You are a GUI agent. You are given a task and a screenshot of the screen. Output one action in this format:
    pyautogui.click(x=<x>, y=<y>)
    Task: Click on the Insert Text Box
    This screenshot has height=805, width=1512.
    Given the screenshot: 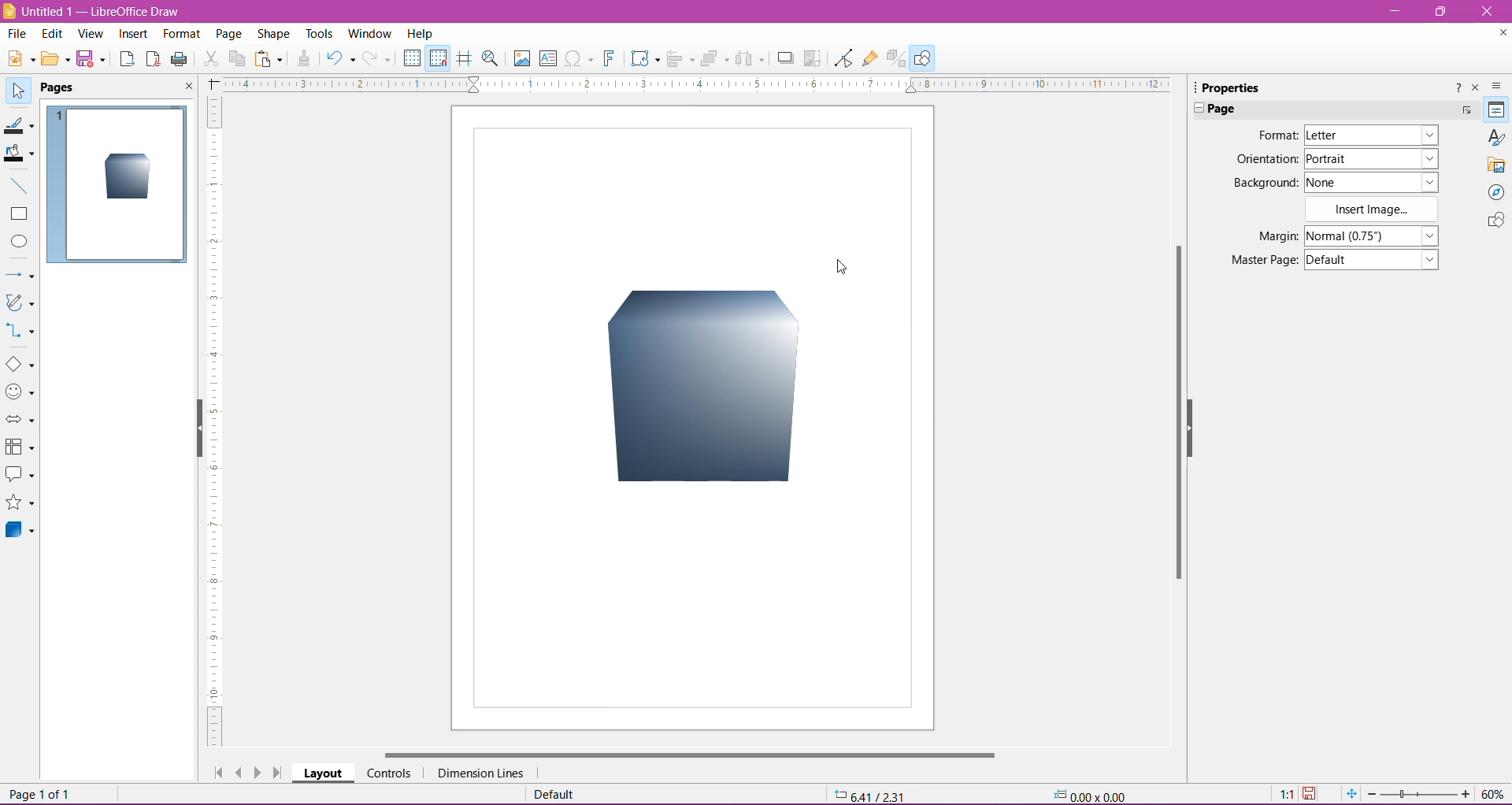 What is the action you would take?
    pyautogui.click(x=548, y=57)
    